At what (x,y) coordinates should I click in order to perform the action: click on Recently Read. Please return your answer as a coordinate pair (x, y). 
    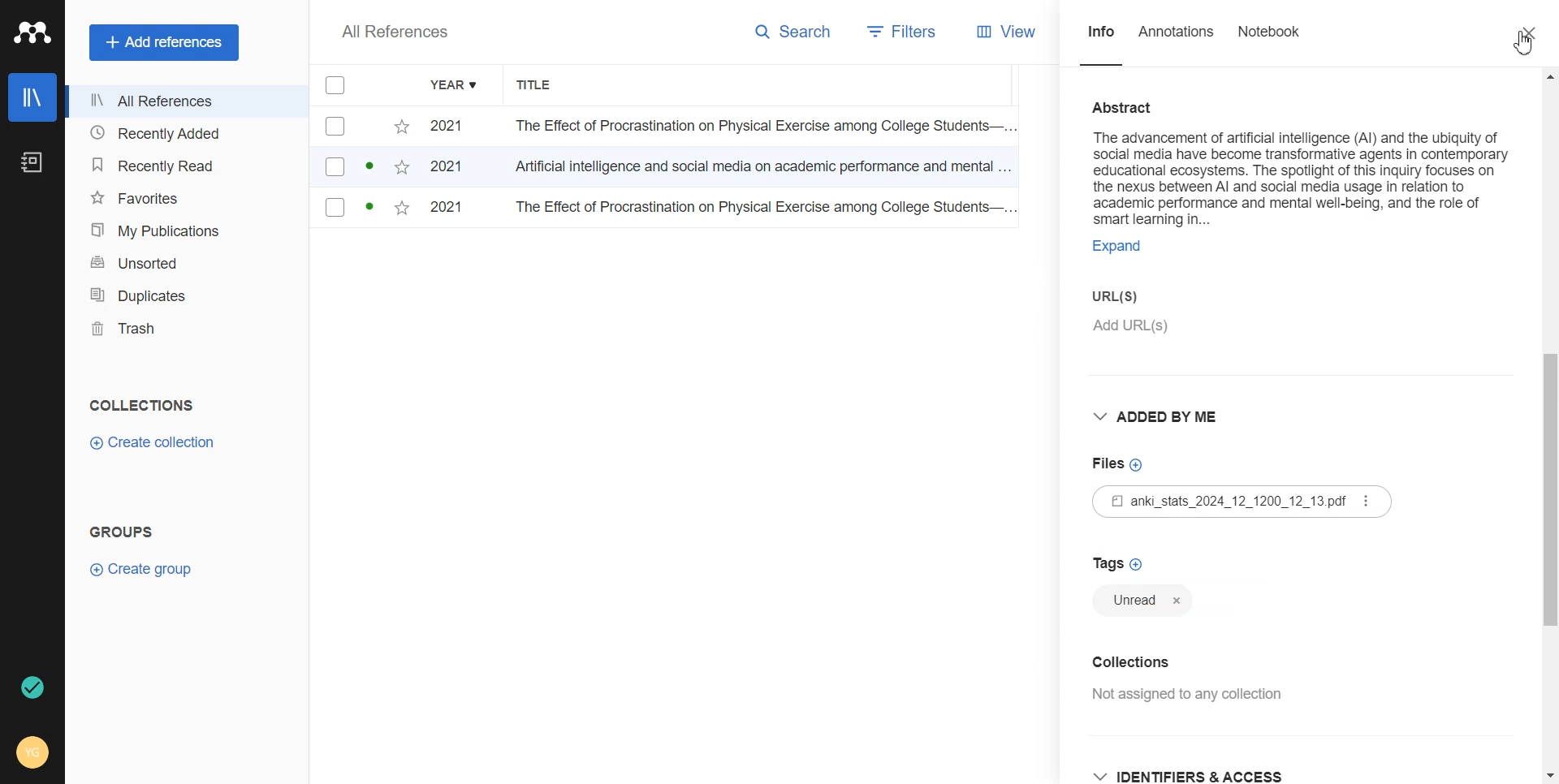
    Looking at the image, I should click on (184, 165).